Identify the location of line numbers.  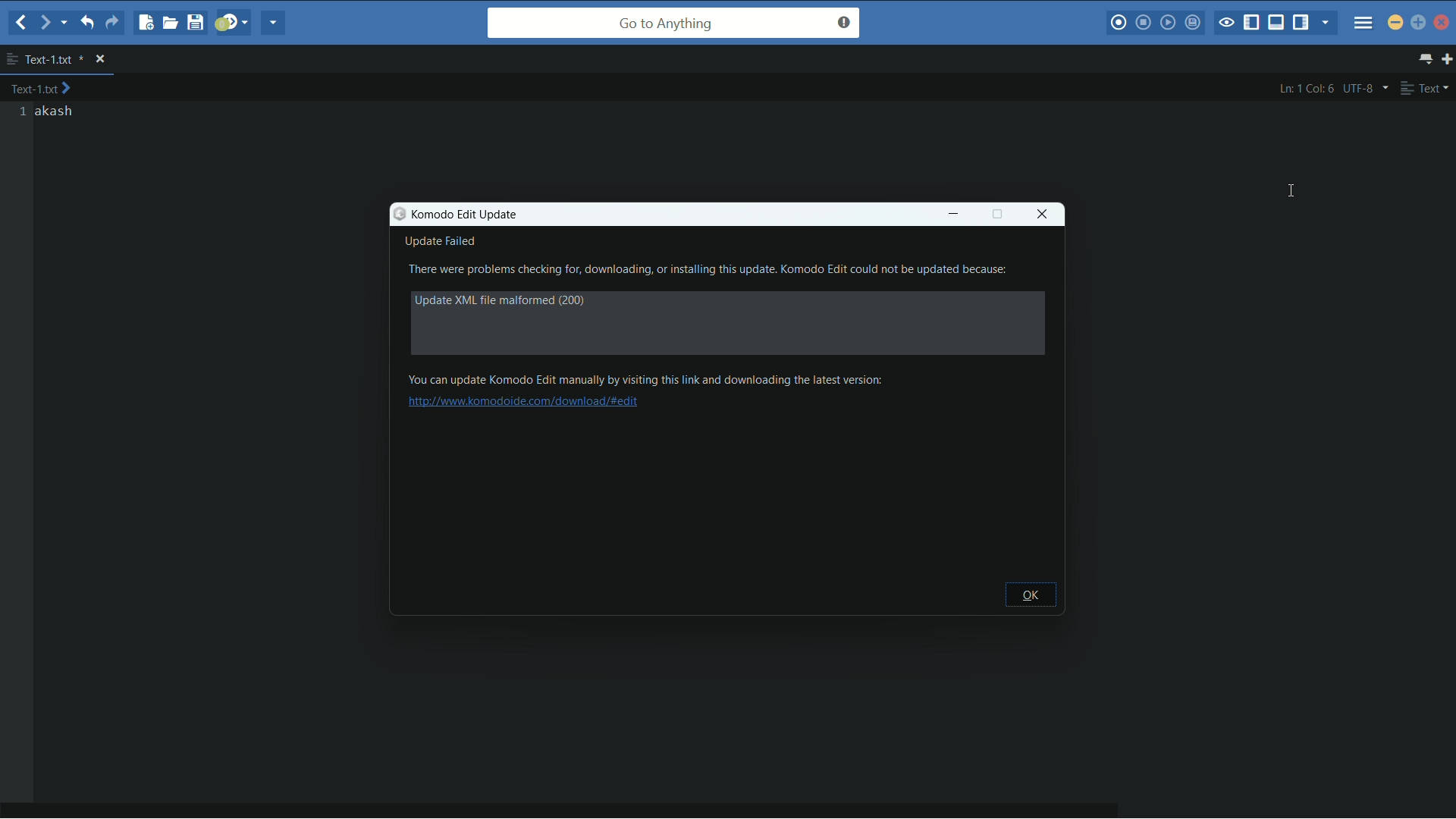
(20, 113).